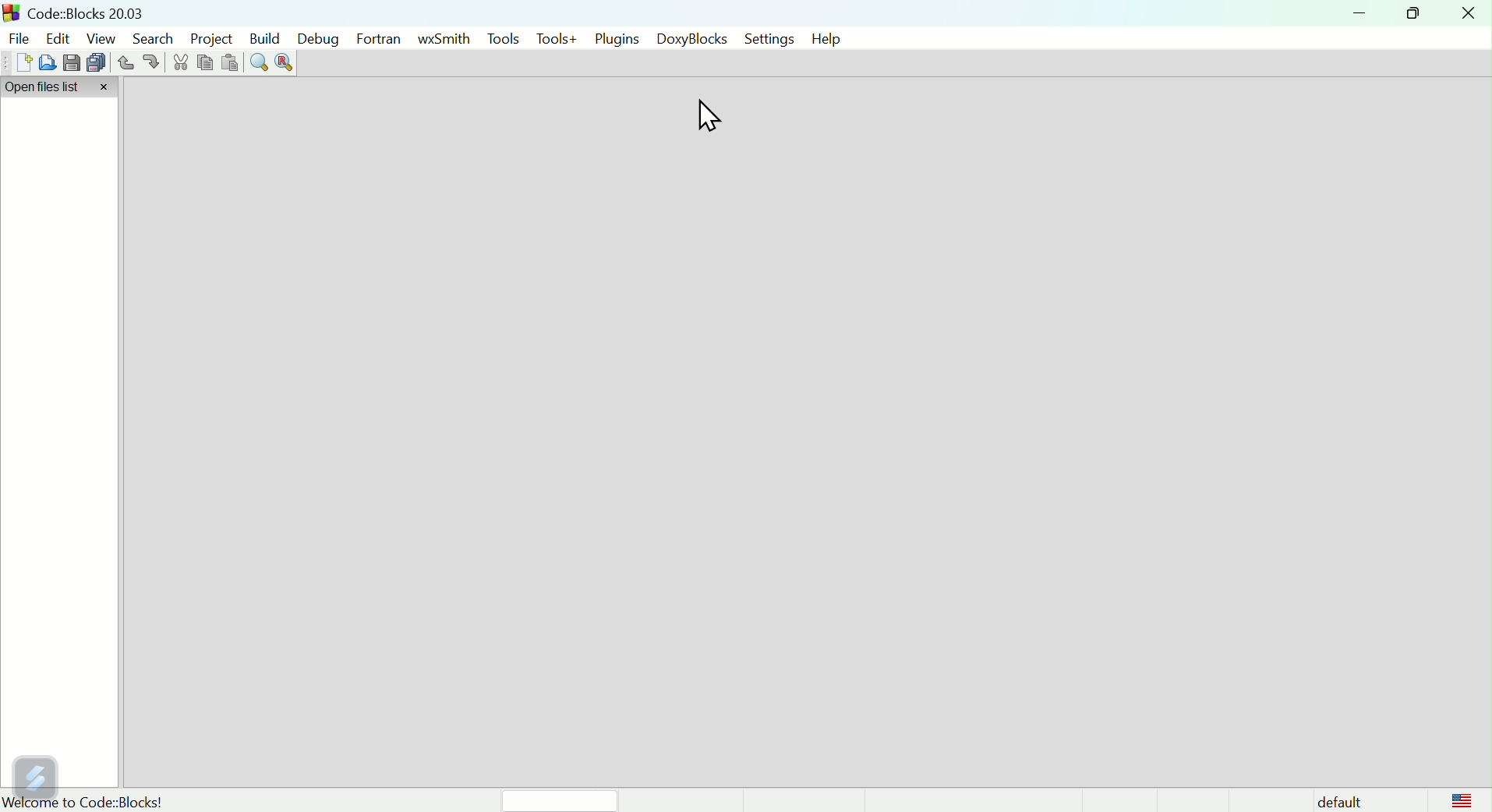 Image resolution: width=1492 pixels, height=812 pixels. What do you see at coordinates (1336, 800) in the screenshot?
I see `Default` at bounding box center [1336, 800].